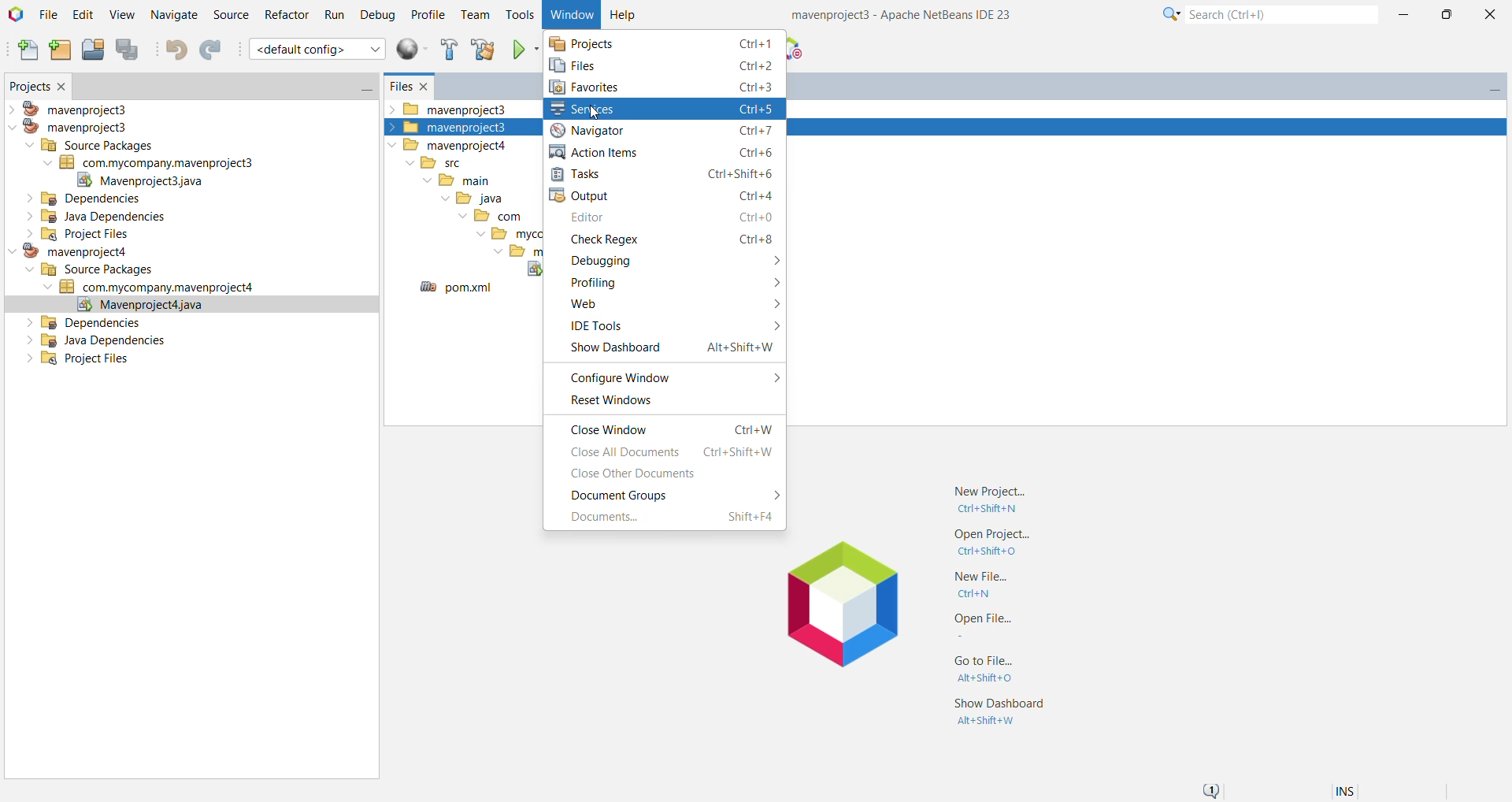  What do you see at coordinates (84, 199) in the screenshot?
I see `Dependencies` at bounding box center [84, 199].